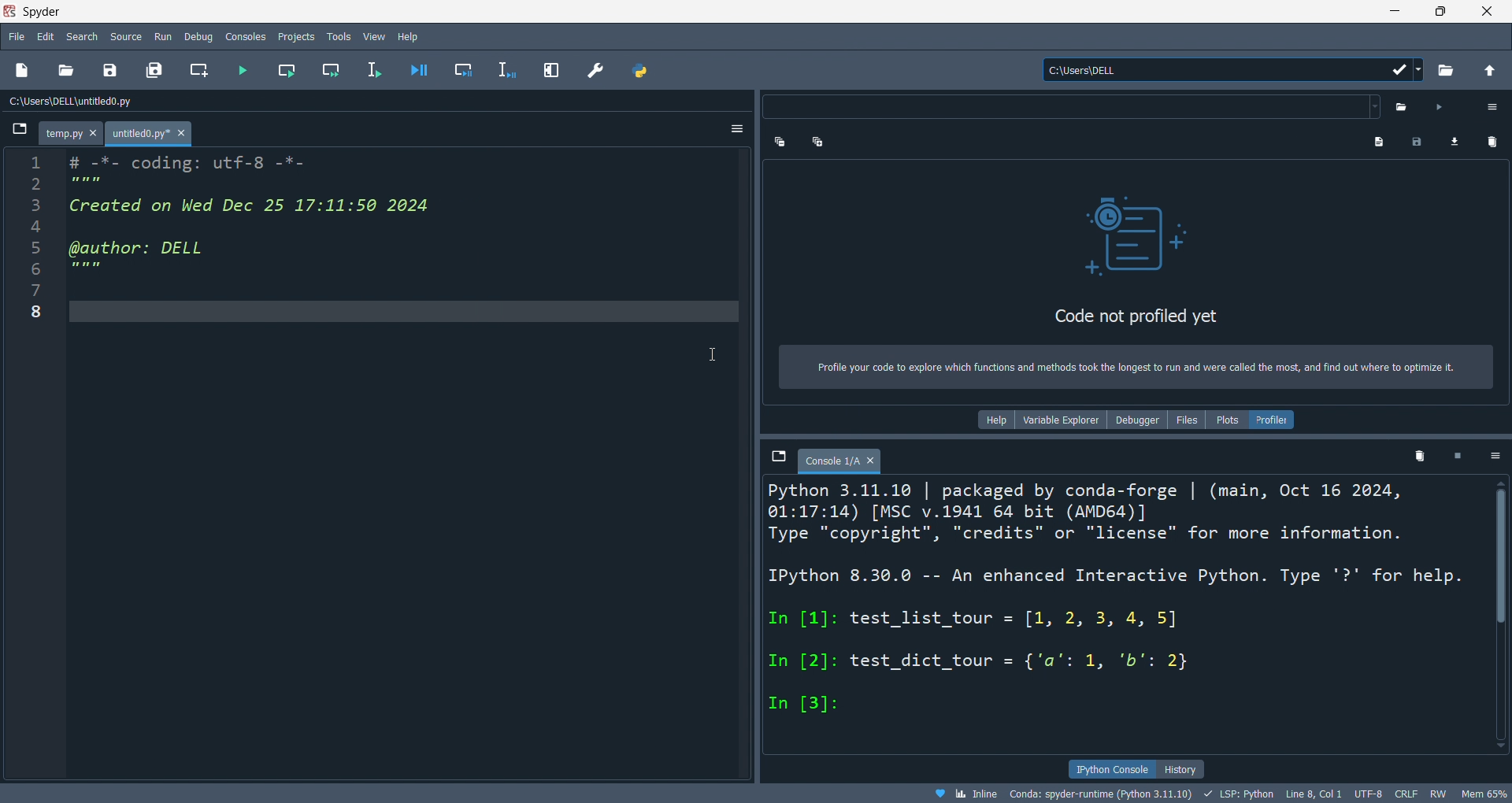 Image resolution: width=1512 pixels, height=803 pixels. I want to click on files, so click(1188, 420).